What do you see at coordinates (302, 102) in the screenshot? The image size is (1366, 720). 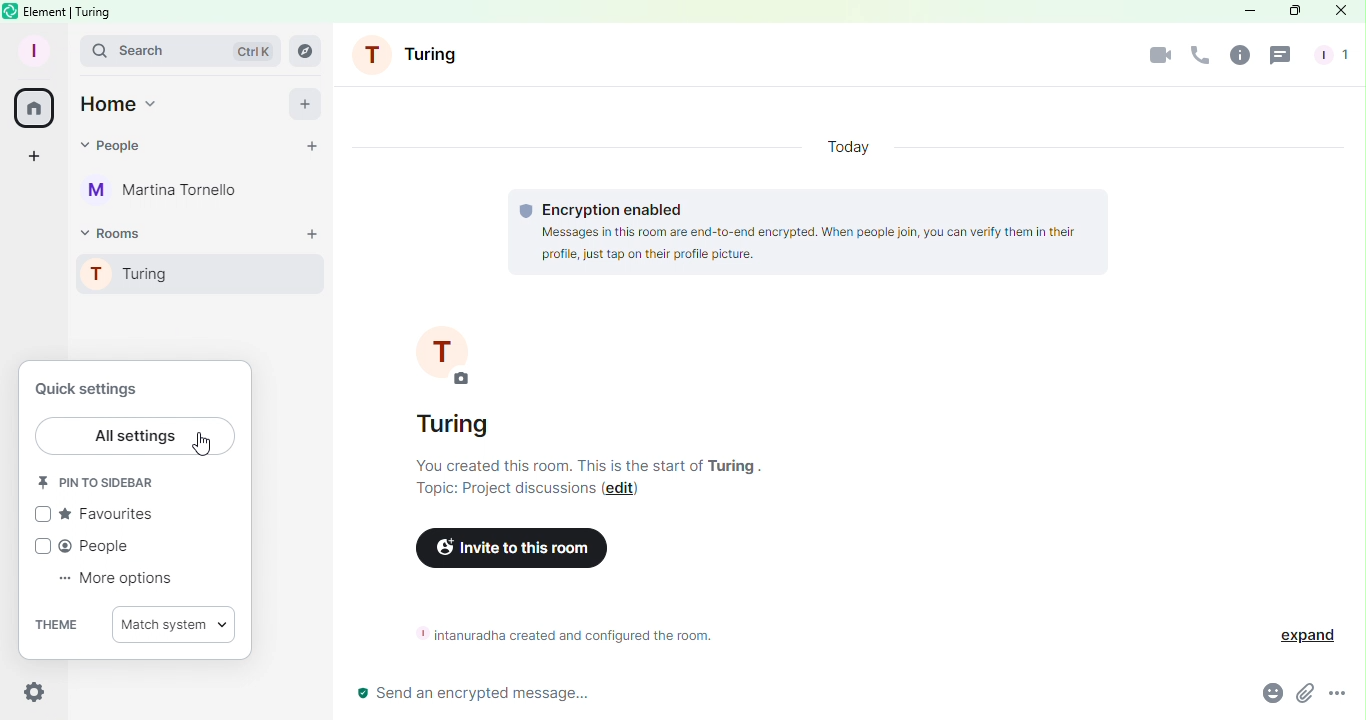 I see `add` at bounding box center [302, 102].